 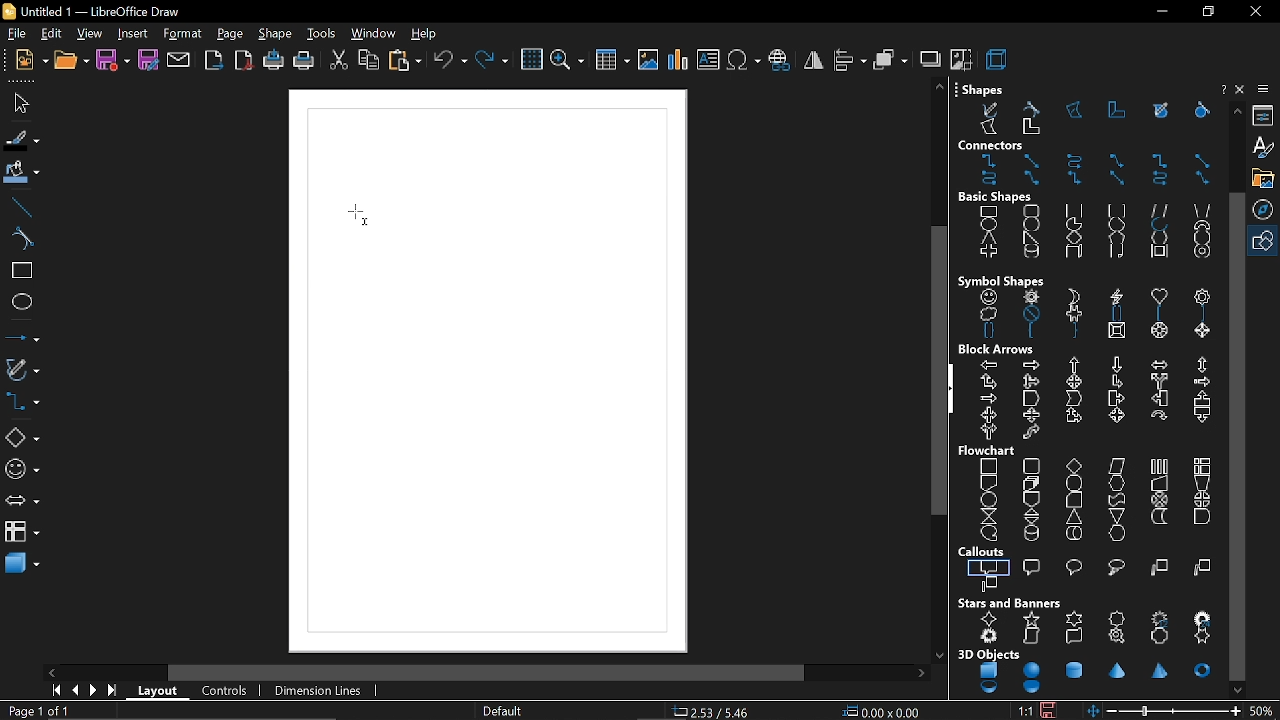 I want to click on zoom, so click(x=568, y=61).